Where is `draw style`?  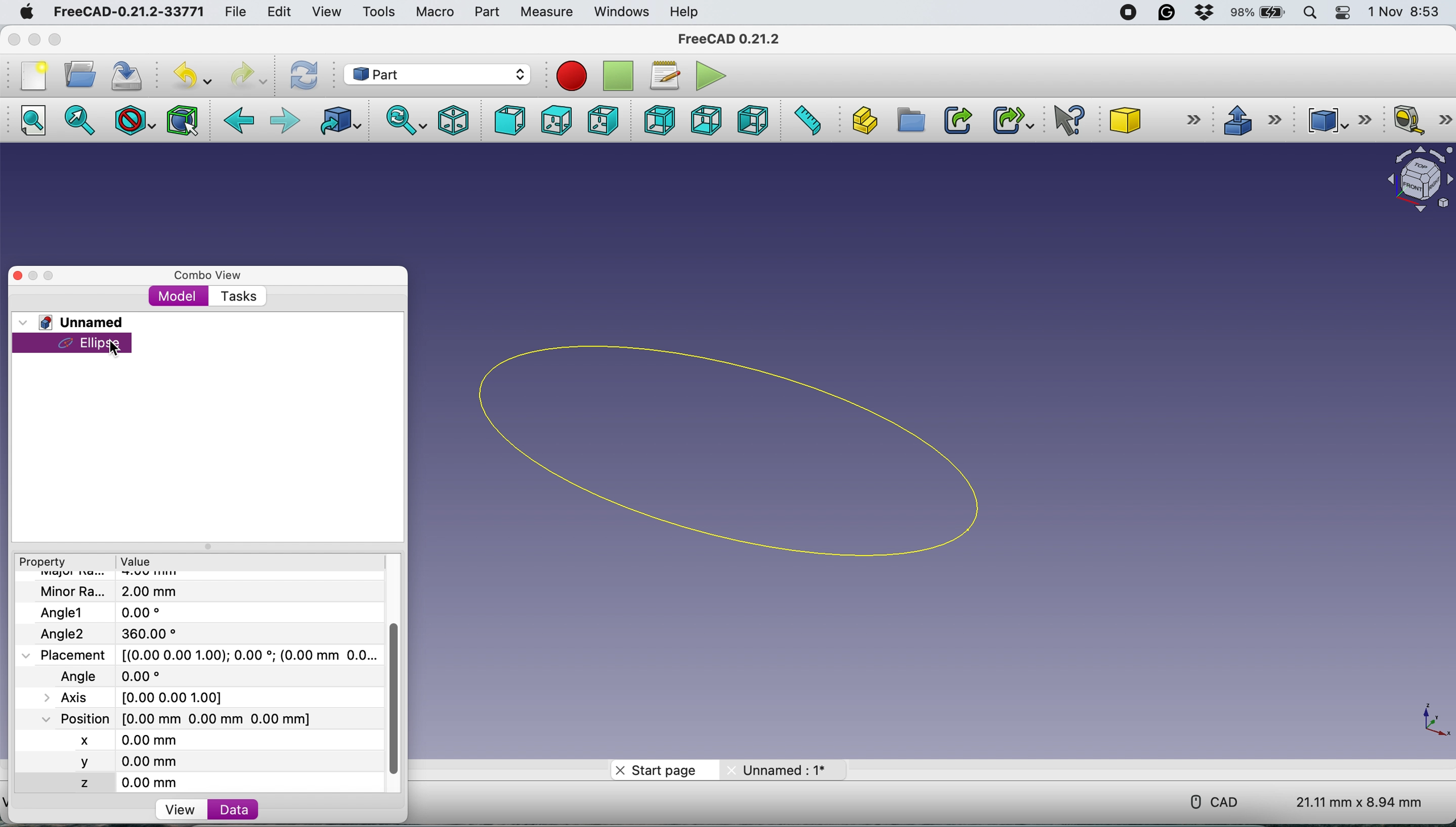 draw style is located at coordinates (132, 120).